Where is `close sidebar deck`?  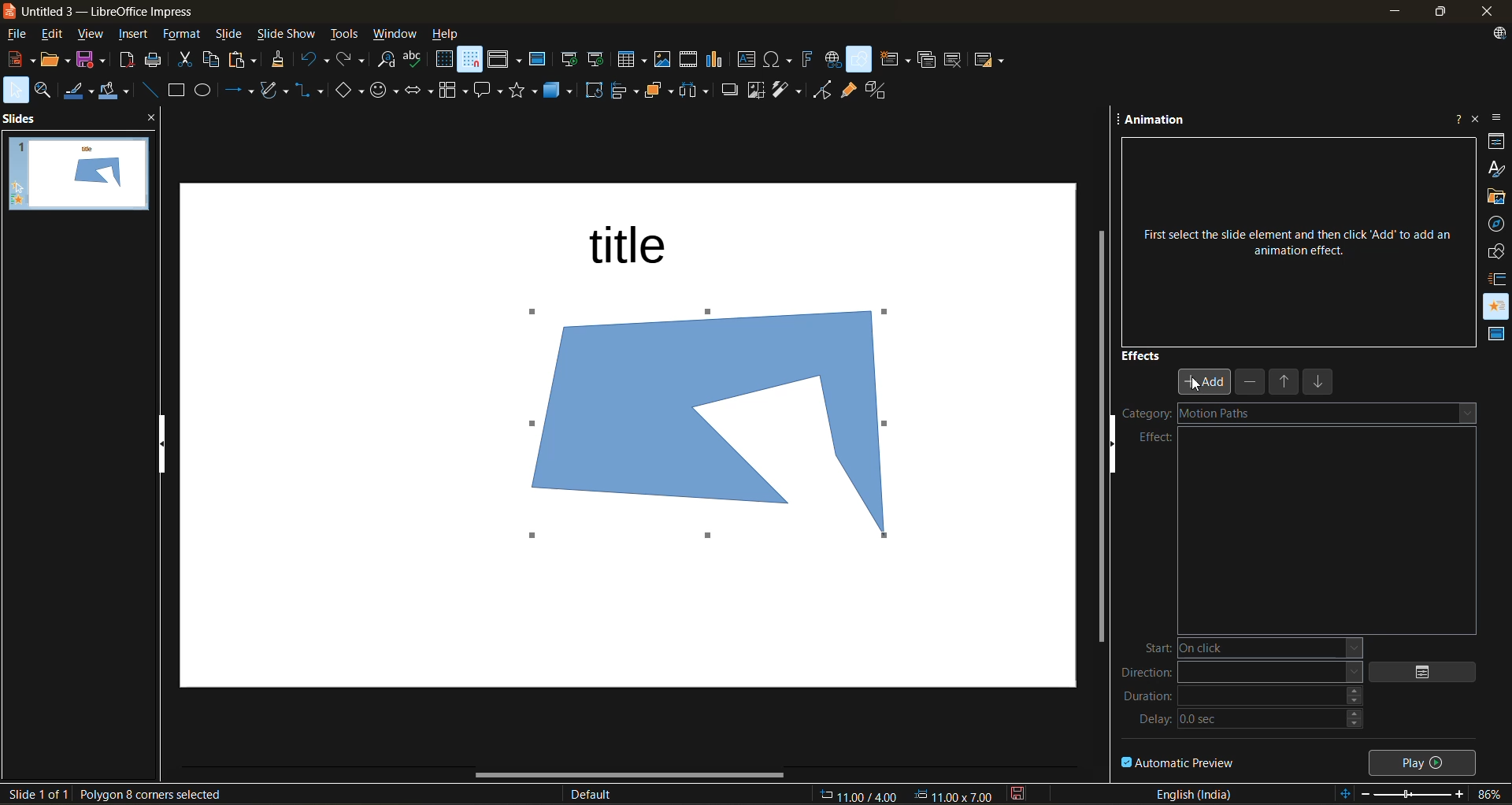 close sidebar deck is located at coordinates (1478, 117).